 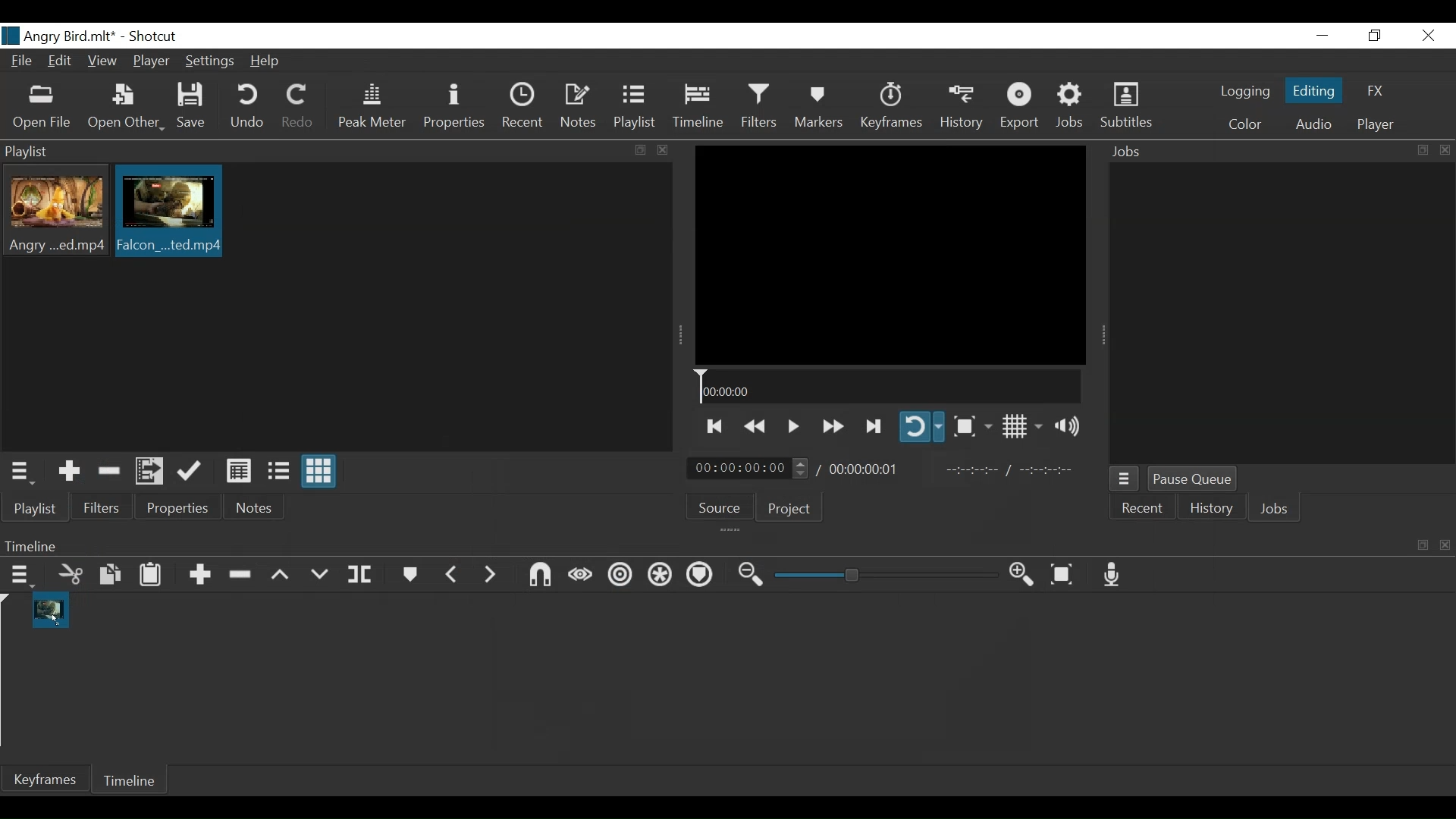 I want to click on Media Viewer, so click(x=890, y=252).